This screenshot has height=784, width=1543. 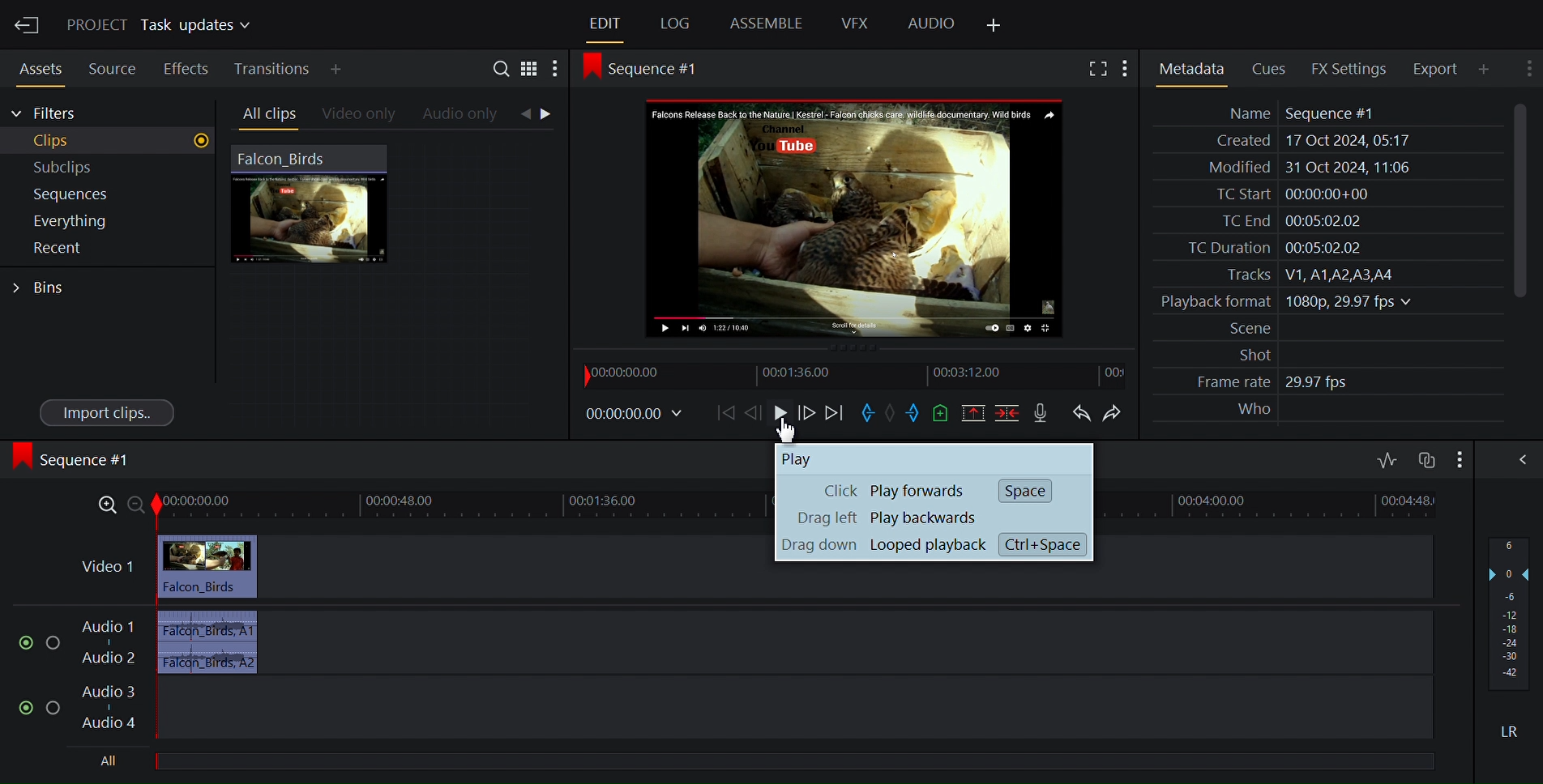 What do you see at coordinates (1282, 302) in the screenshot?
I see `Playback format 1080p, 29.97 fps ` at bounding box center [1282, 302].